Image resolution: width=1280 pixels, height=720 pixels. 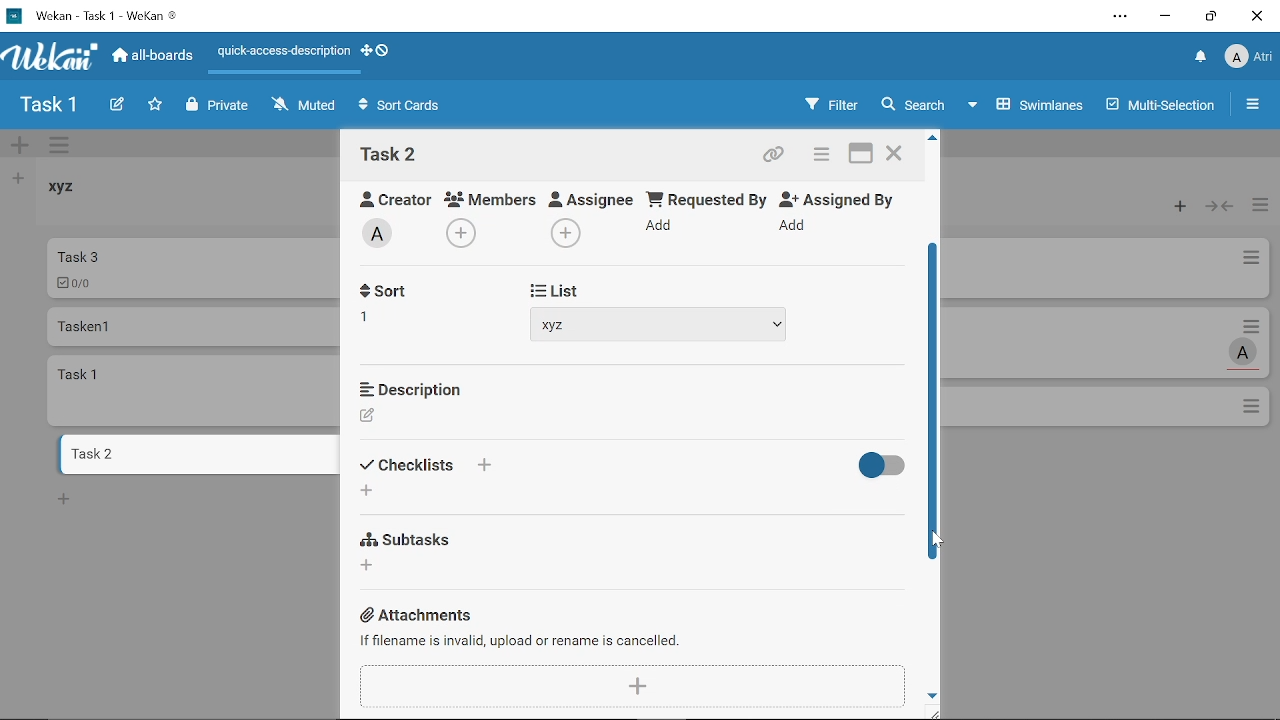 I want to click on Current window, so click(x=92, y=14).